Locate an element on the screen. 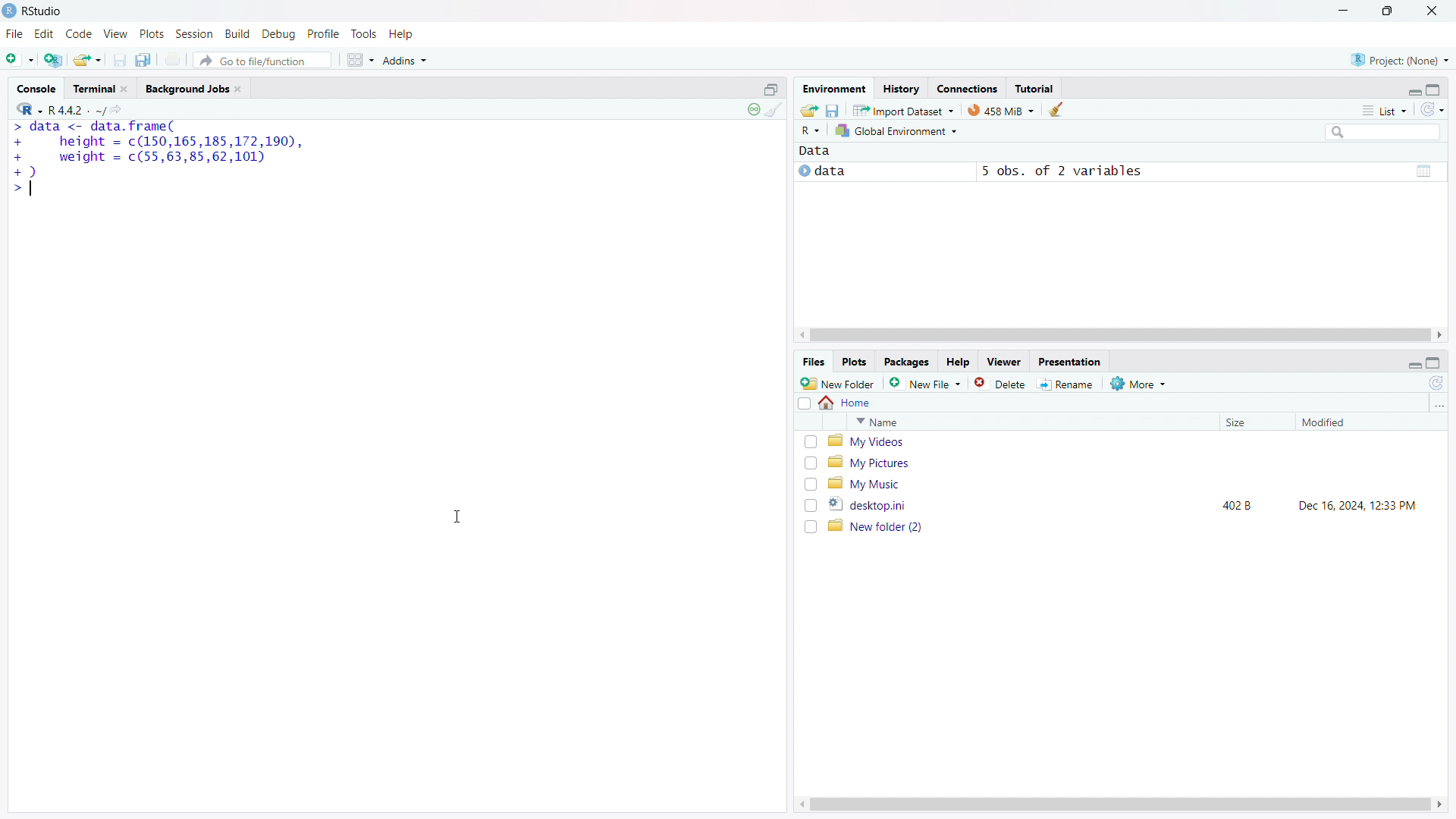  refresh the list of objects is located at coordinates (1432, 109).